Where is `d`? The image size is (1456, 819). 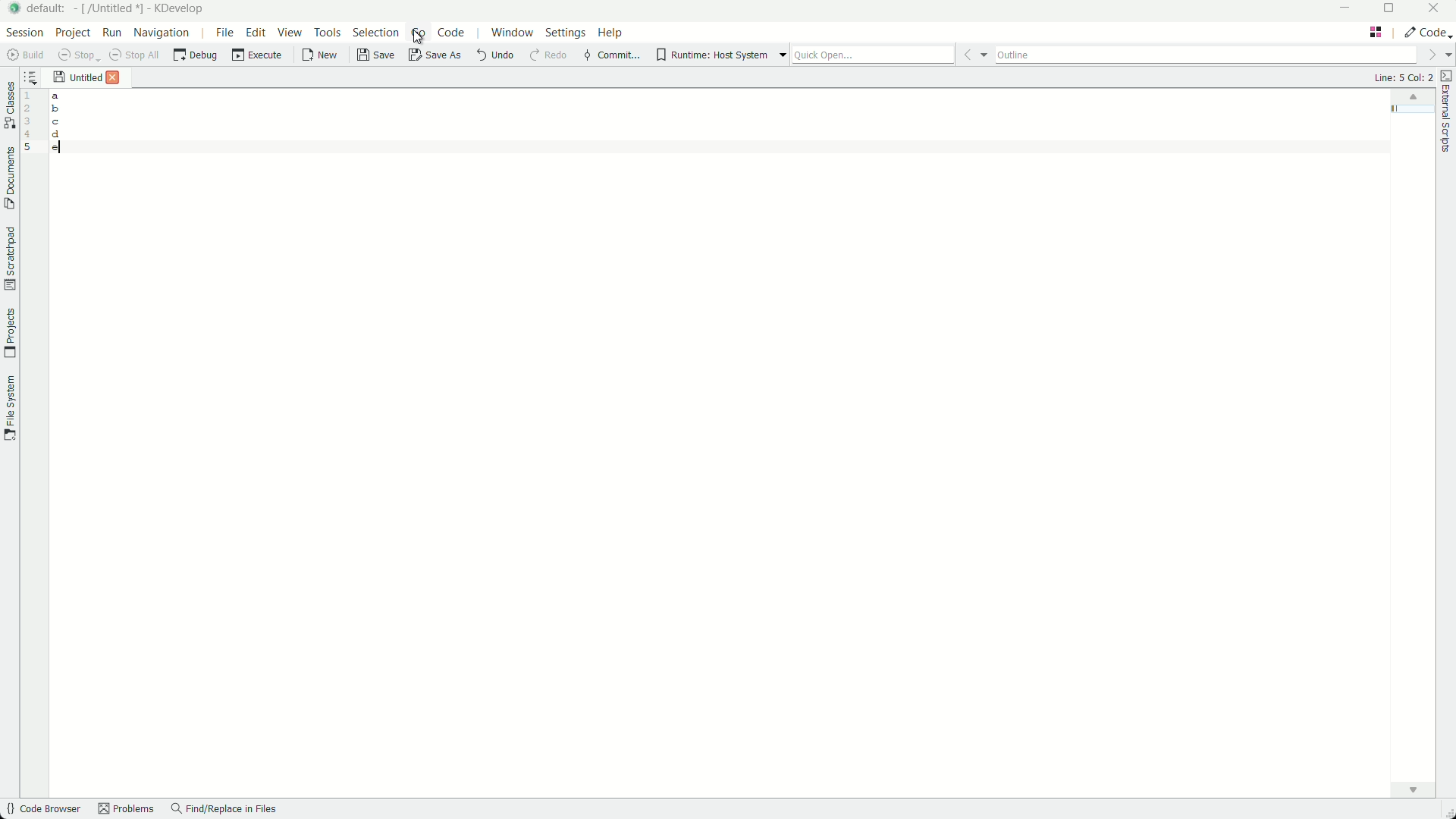 d is located at coordinates (56, 136).